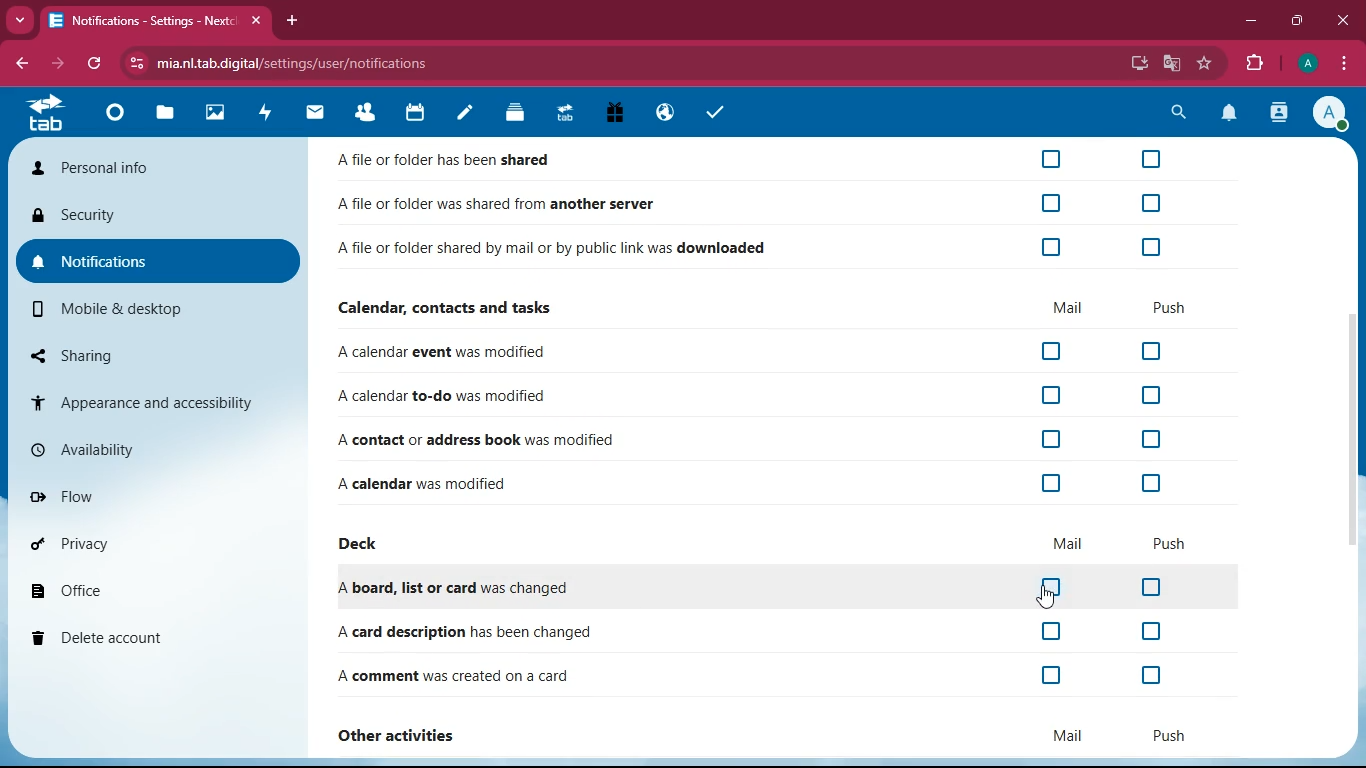 This screenshot has height=768, width=1366. I want to click on activity, so click(268, 115).